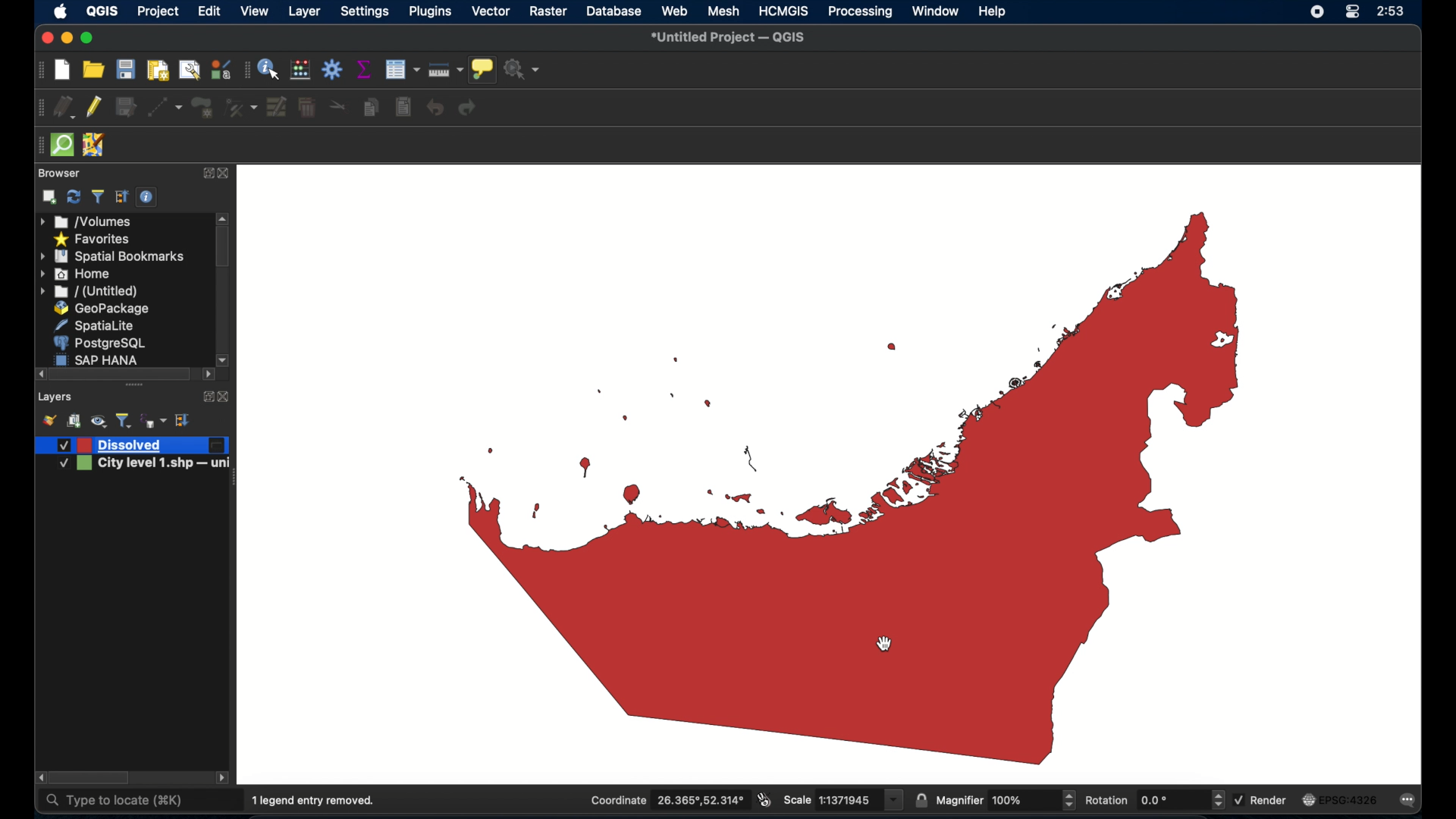 This screenshot has height=819, width=1456. What do you see at coordinates (86, 221) in the screenshot?
I see `volumes` at bounding box center [86, 221].